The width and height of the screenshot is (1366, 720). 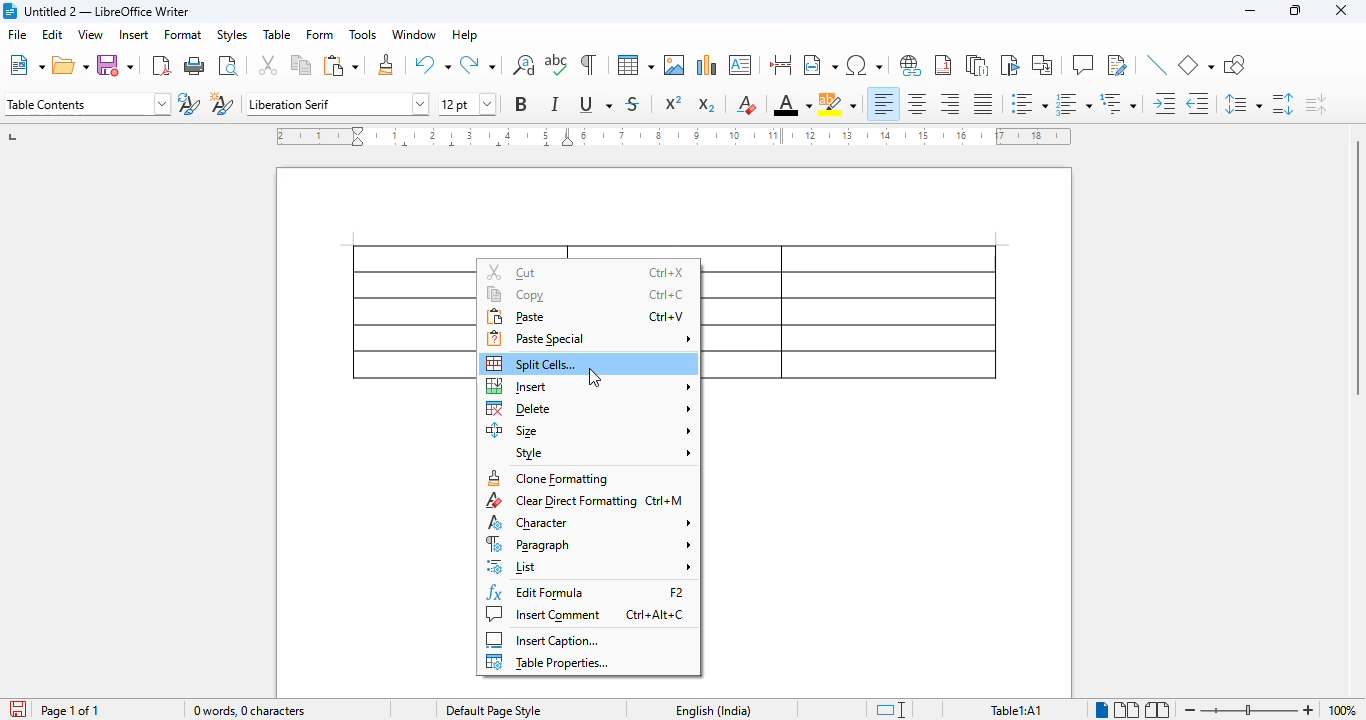 What do you see at coordinates (1197, 103) in the screenshot?
I see `decrease indent` at bounding box center [1197, 103].